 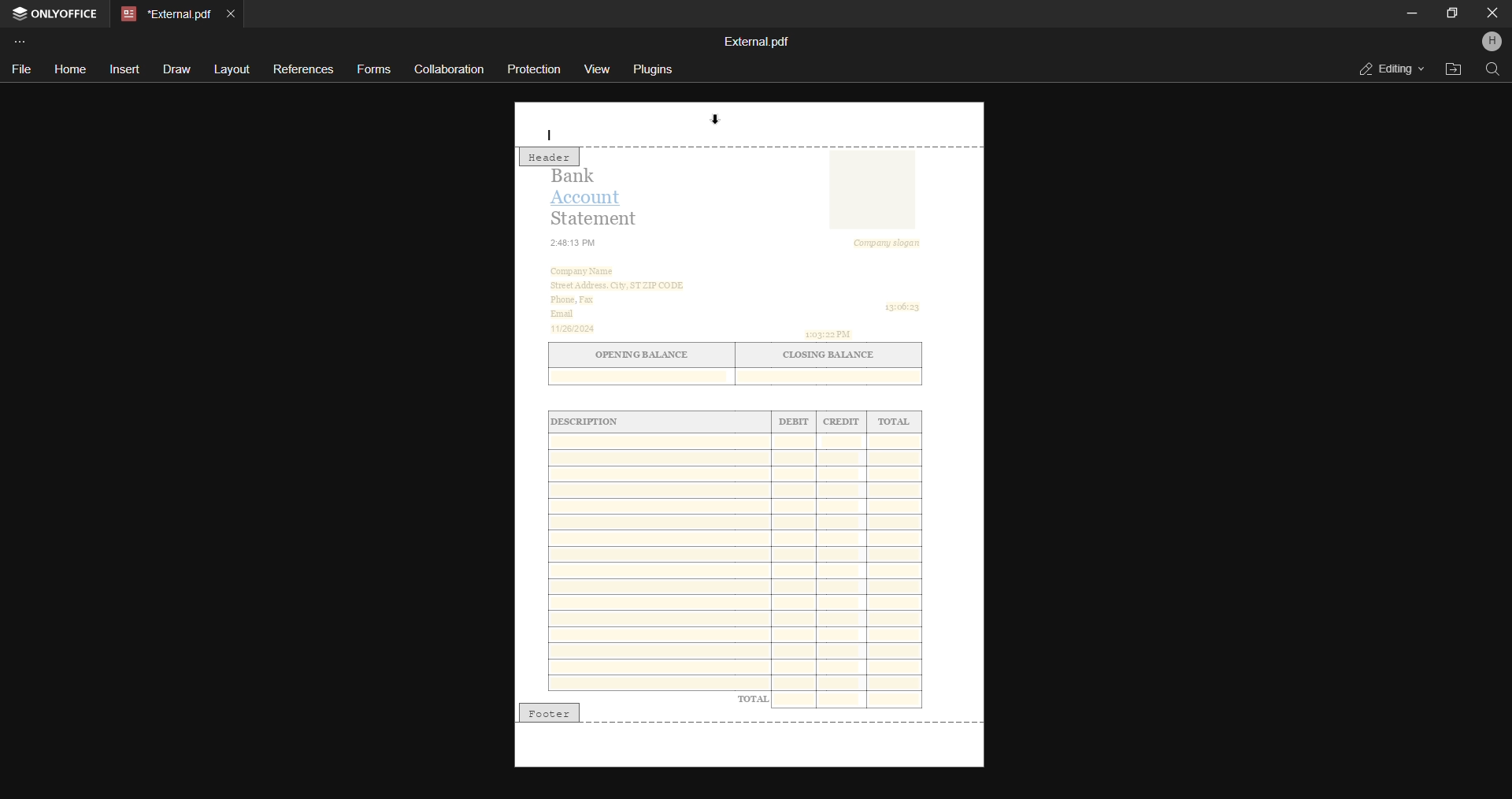 I want to click on protection, so click(x=536, y=69).